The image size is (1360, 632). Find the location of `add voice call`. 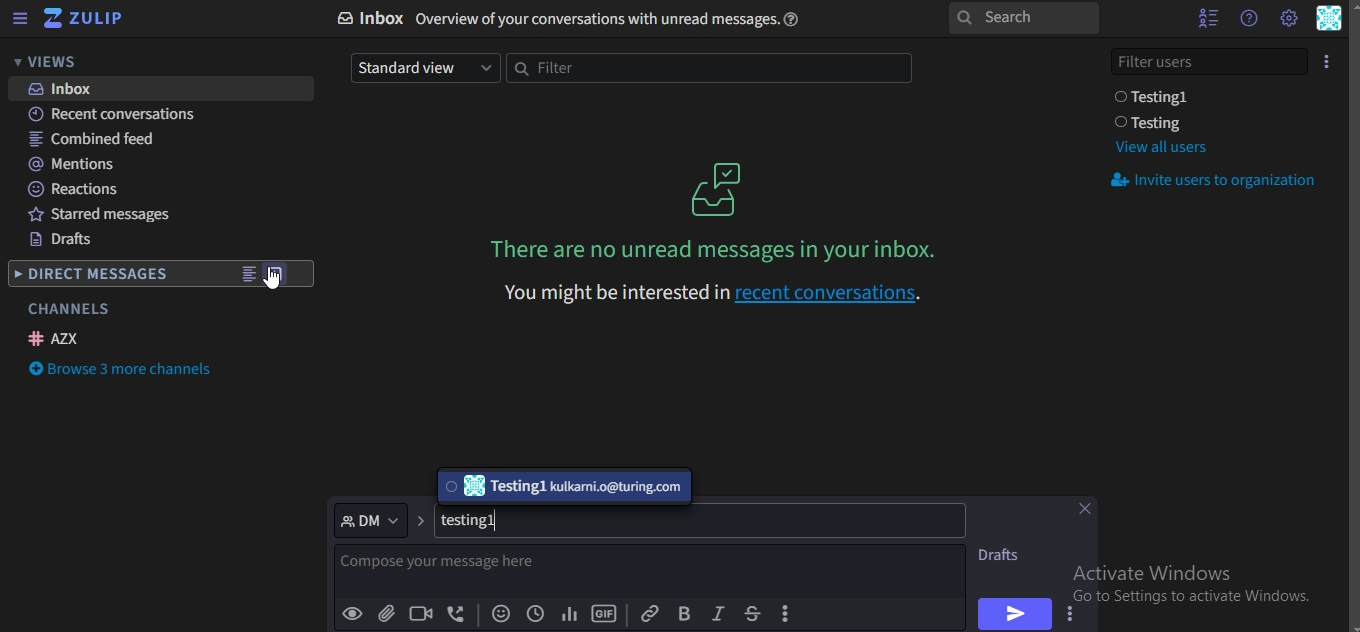

add voice call is located at coordinates (457, 615).